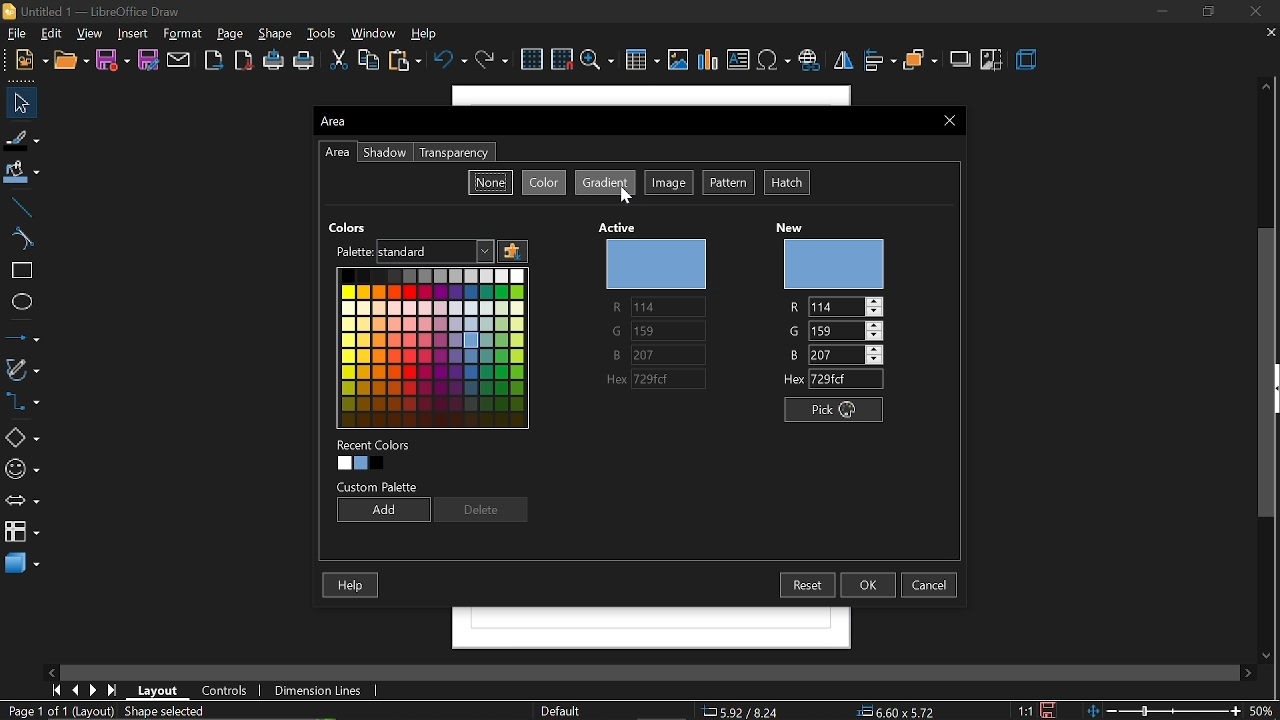  Describe the element at coordinates (411, 251) in the screenshot. I see `colors pallete` at that location.